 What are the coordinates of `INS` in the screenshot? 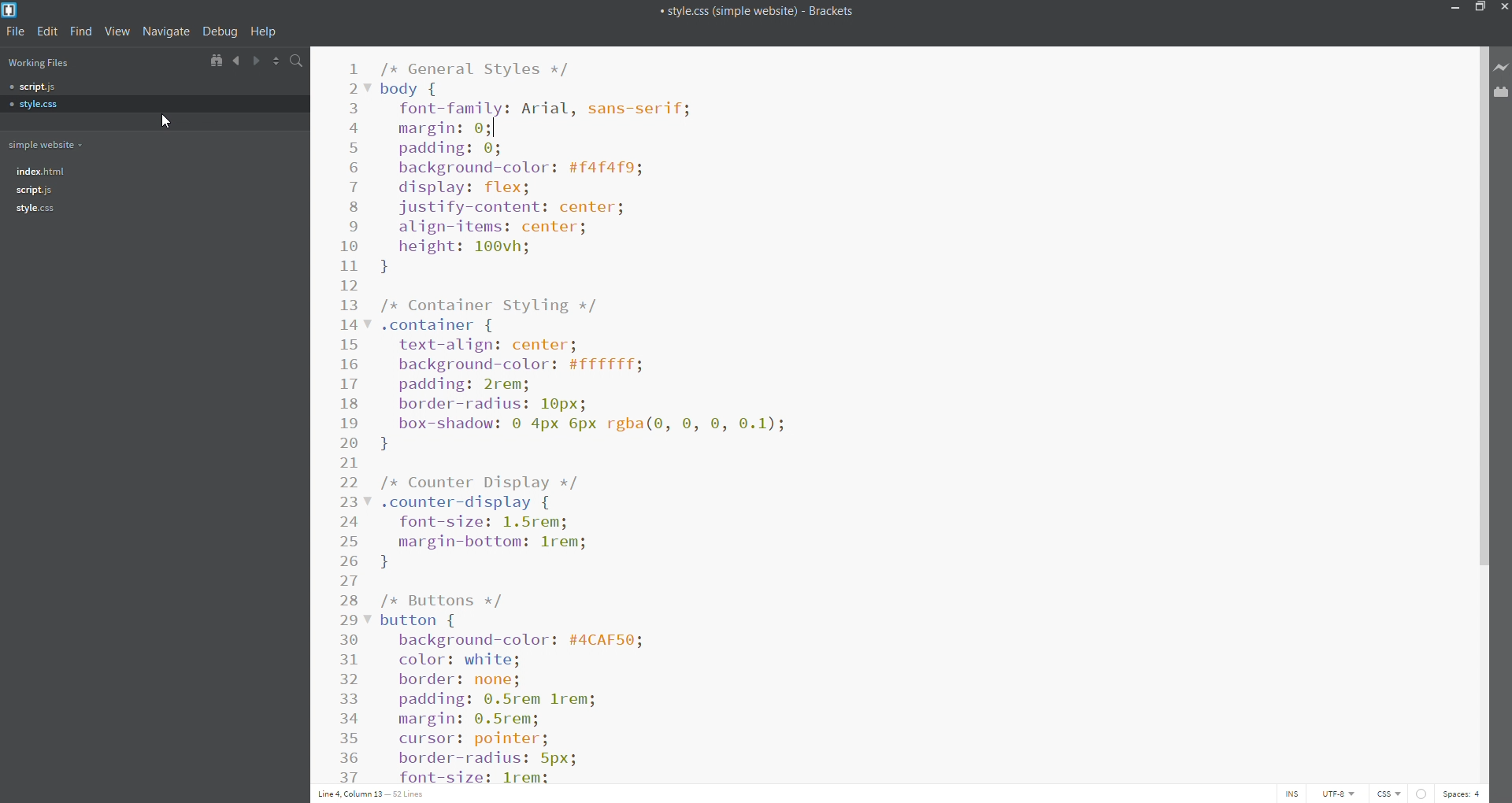 It's located at (1293, 794).